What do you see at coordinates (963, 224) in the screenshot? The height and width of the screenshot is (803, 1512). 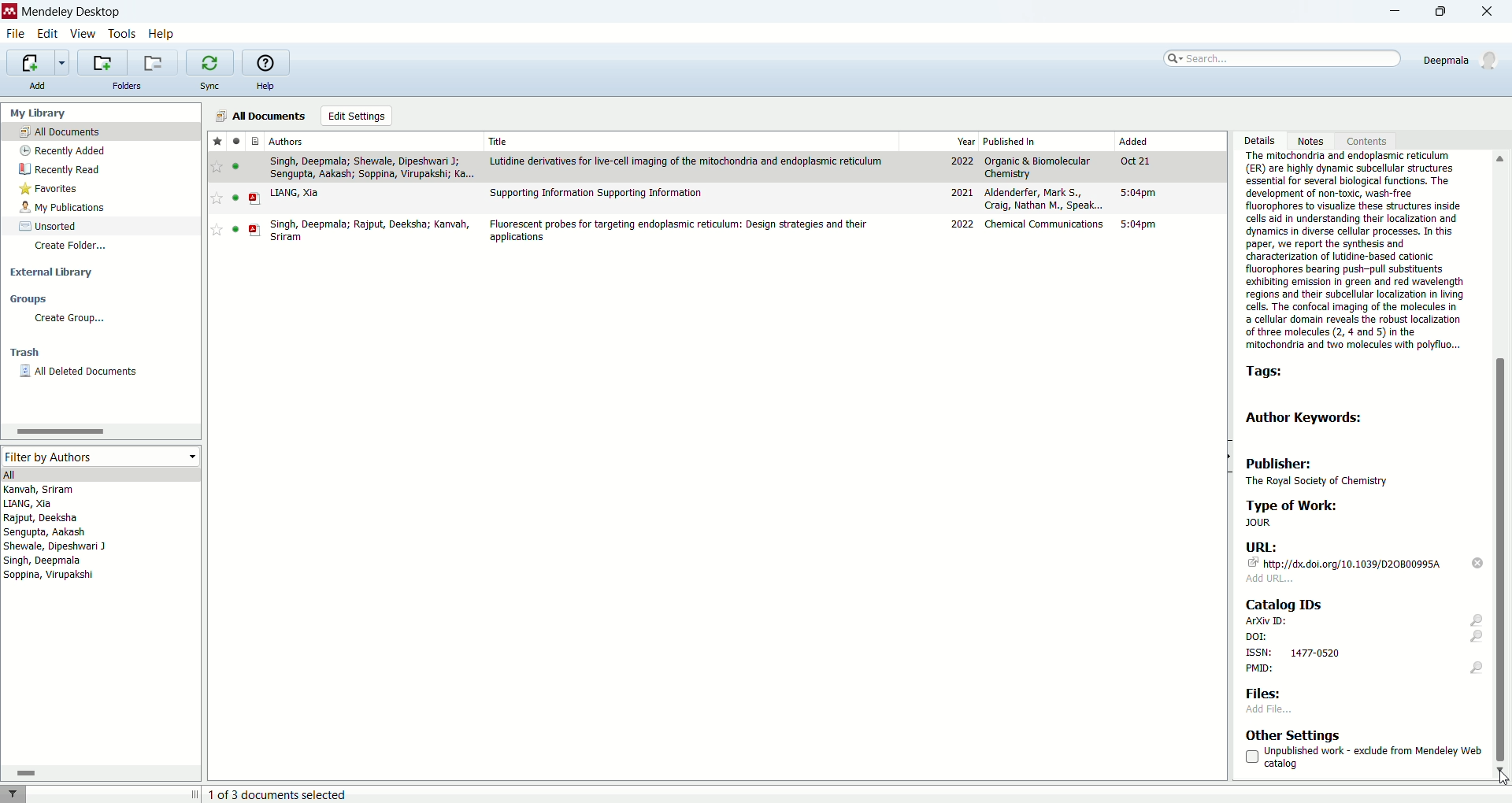 I see `2022` at bounding box center [963, 224].